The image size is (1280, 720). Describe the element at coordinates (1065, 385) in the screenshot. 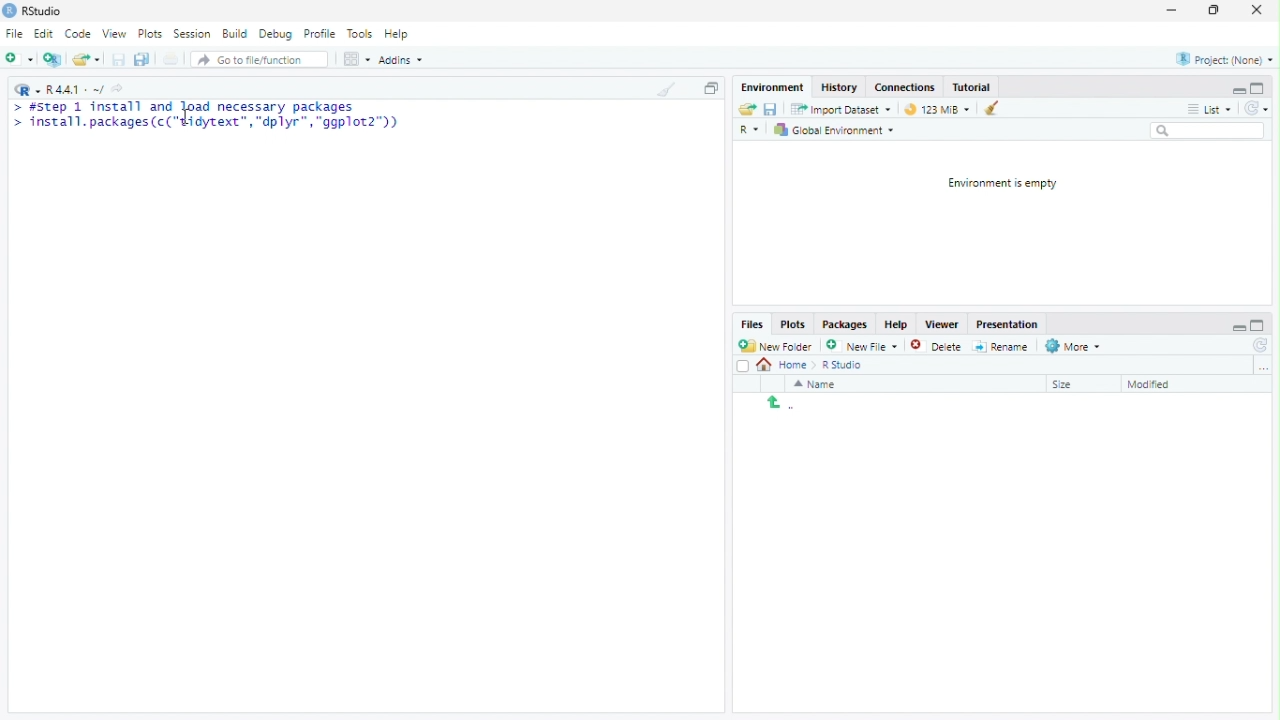

I see `Size` at that location.